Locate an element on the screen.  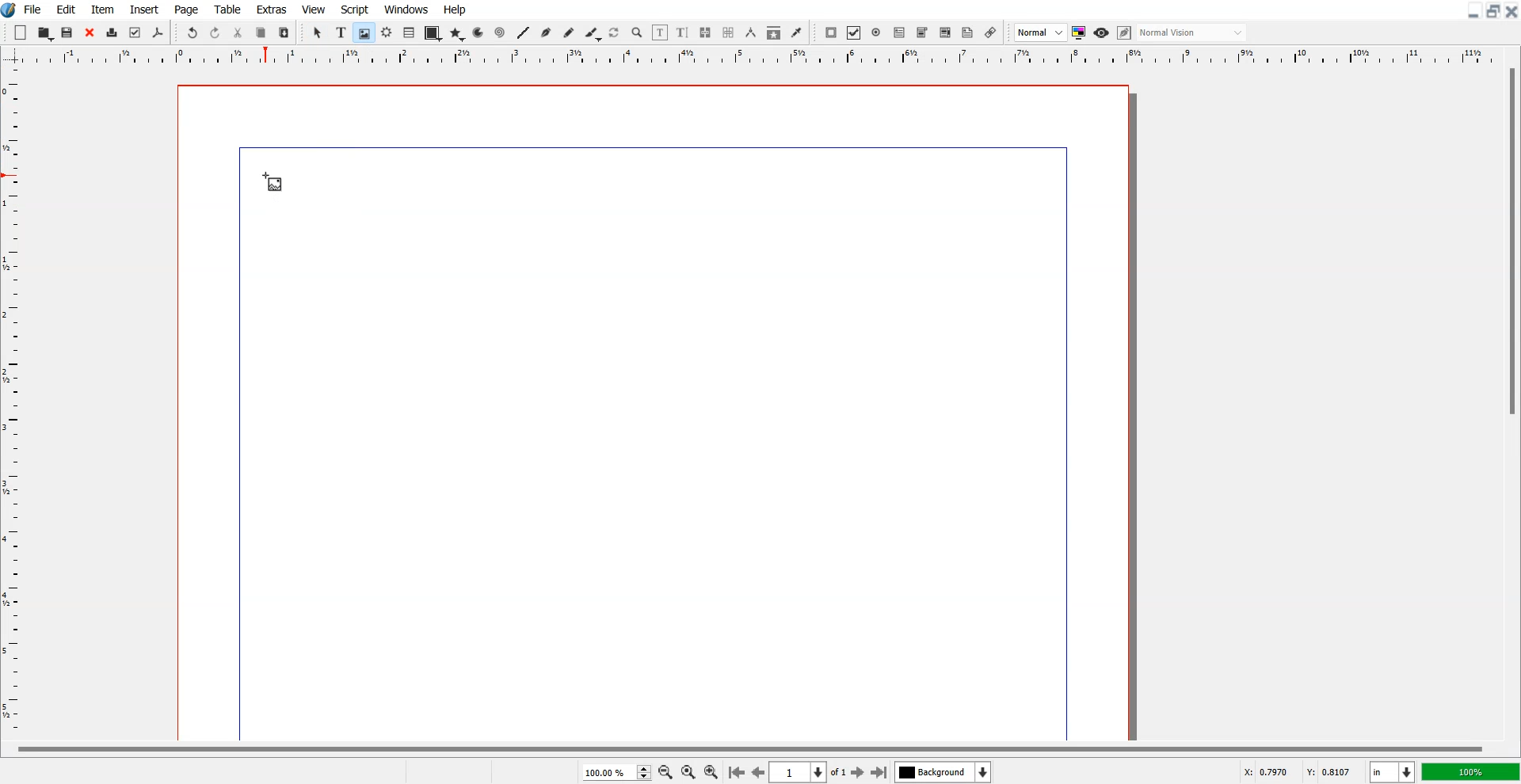
Bezier Curve is located at coordinates (546, 32).